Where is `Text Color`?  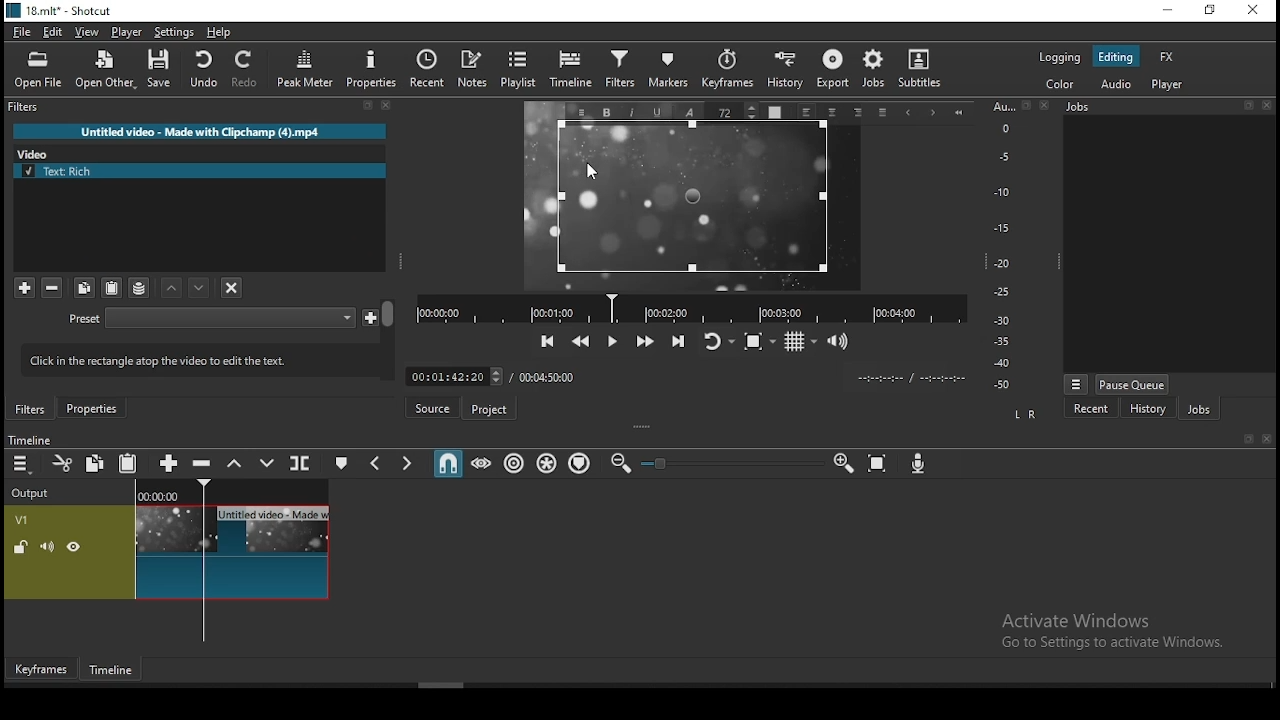
Text Color is located at coordinates (774, 111).